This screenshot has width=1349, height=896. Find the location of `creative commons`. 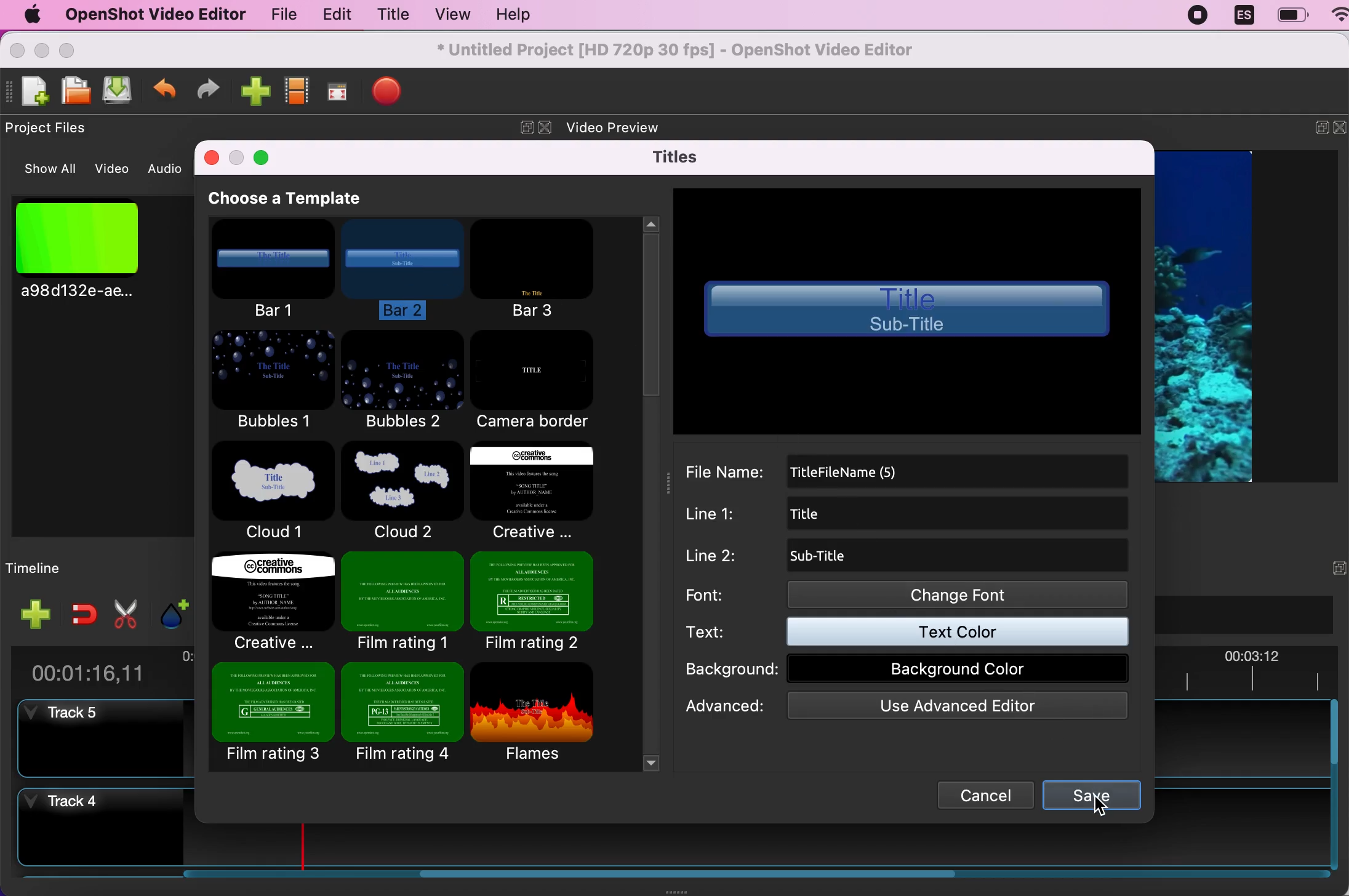

creative commons is located at coordinates (548, 493).